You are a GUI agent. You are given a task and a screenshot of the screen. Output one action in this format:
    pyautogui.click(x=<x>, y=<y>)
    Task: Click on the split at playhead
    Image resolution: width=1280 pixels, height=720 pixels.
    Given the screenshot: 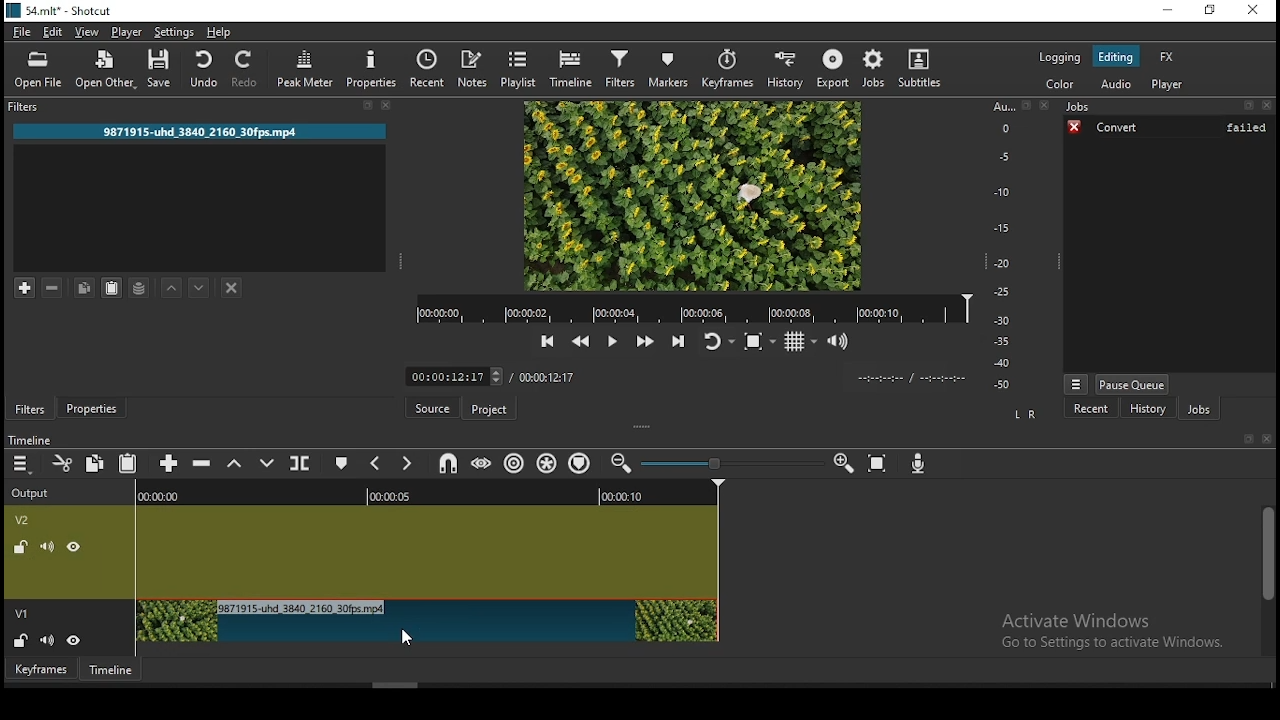 What is the action you would take?
    pyautogui.click(x=302, y=462)
    